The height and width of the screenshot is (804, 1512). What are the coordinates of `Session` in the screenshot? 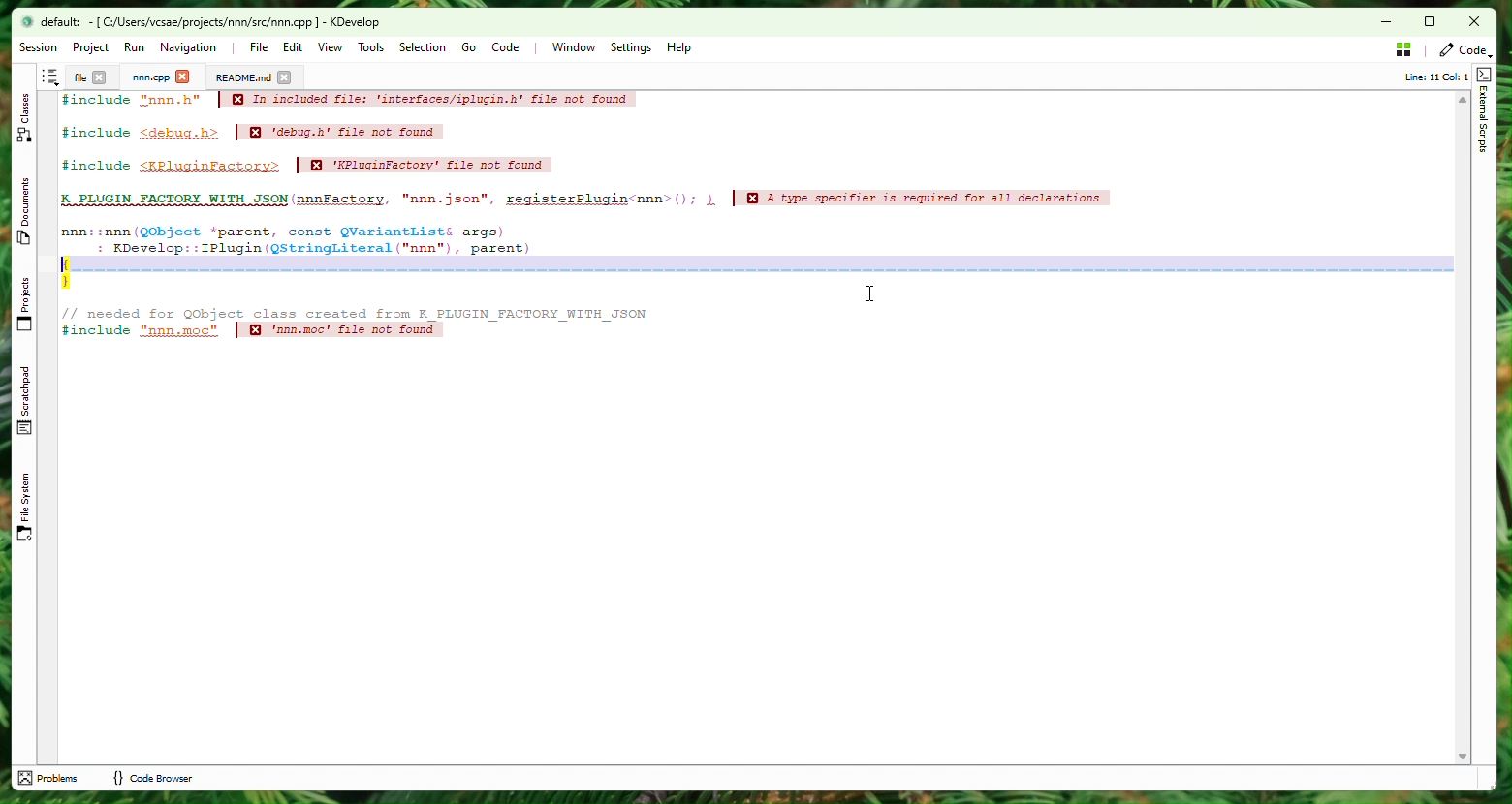 It's located at (42, 48).